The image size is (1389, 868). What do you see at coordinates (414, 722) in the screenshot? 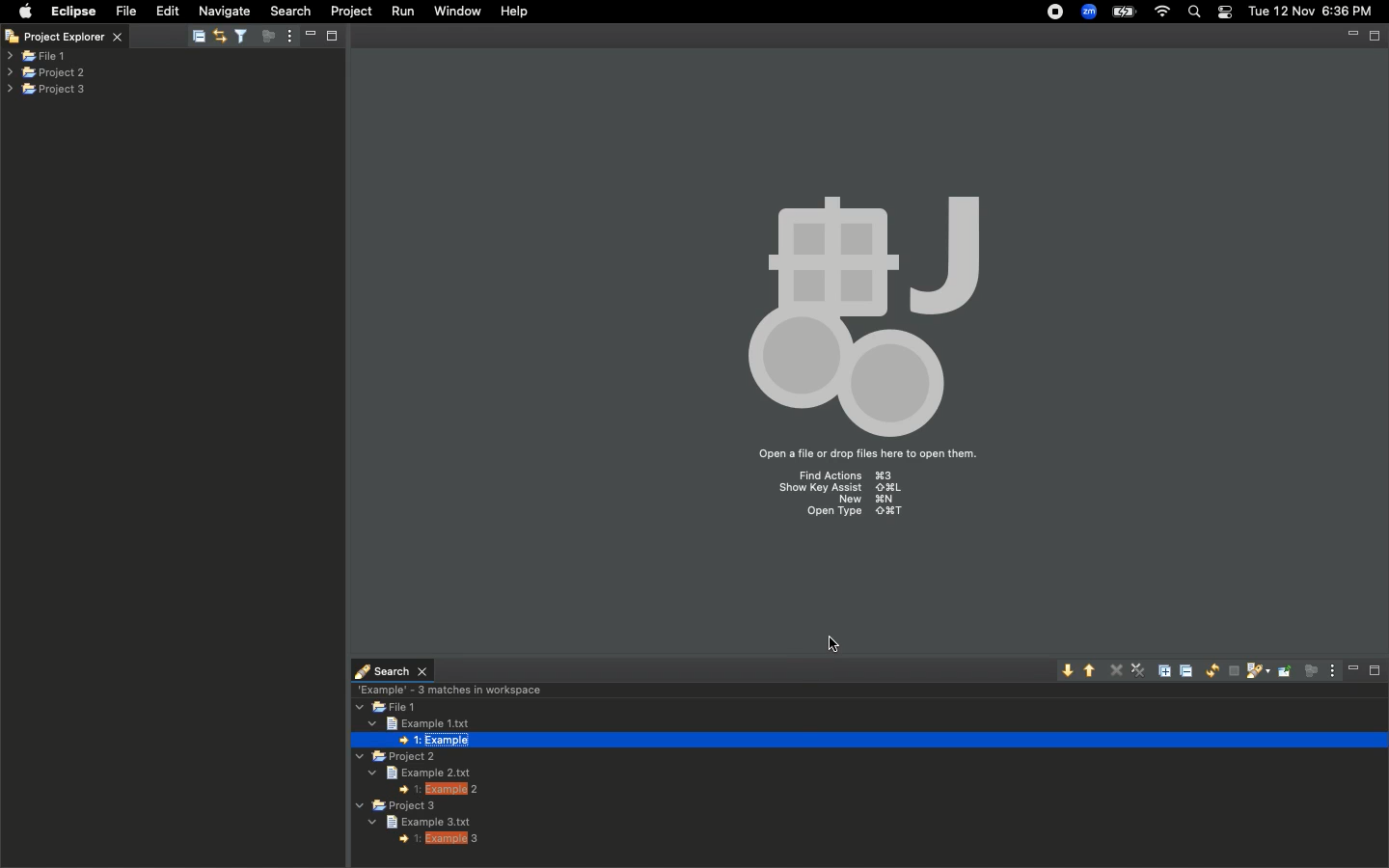
I see `Text file` at bounding box center [414, 722].